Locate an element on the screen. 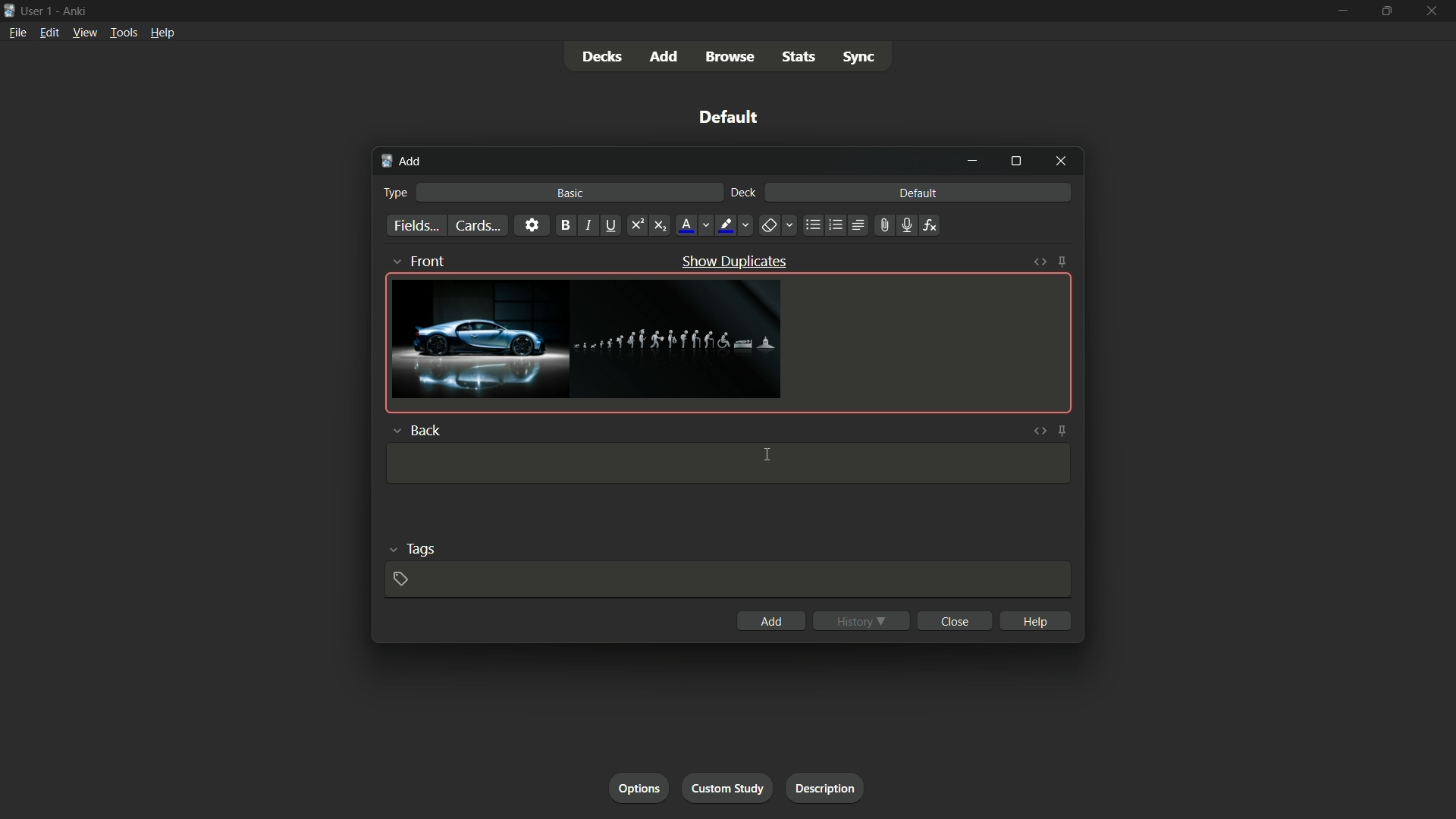 Image resolution: width=1456 pixels, height=819 pixels. deck is located at coordinates (744, 193).